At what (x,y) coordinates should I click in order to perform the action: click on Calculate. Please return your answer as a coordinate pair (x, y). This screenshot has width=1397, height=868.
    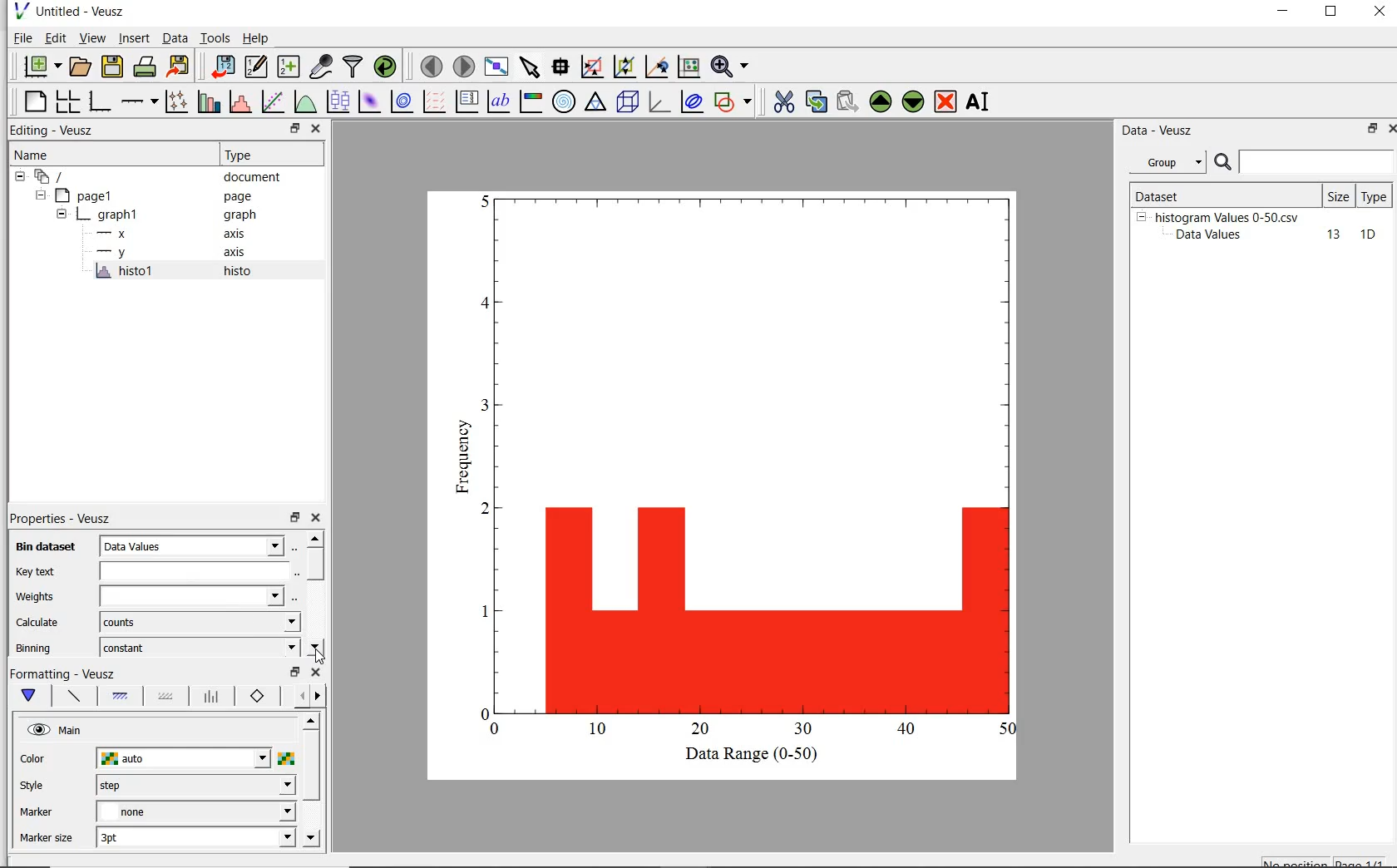
    Looking at the image, I should click on (38, 624).